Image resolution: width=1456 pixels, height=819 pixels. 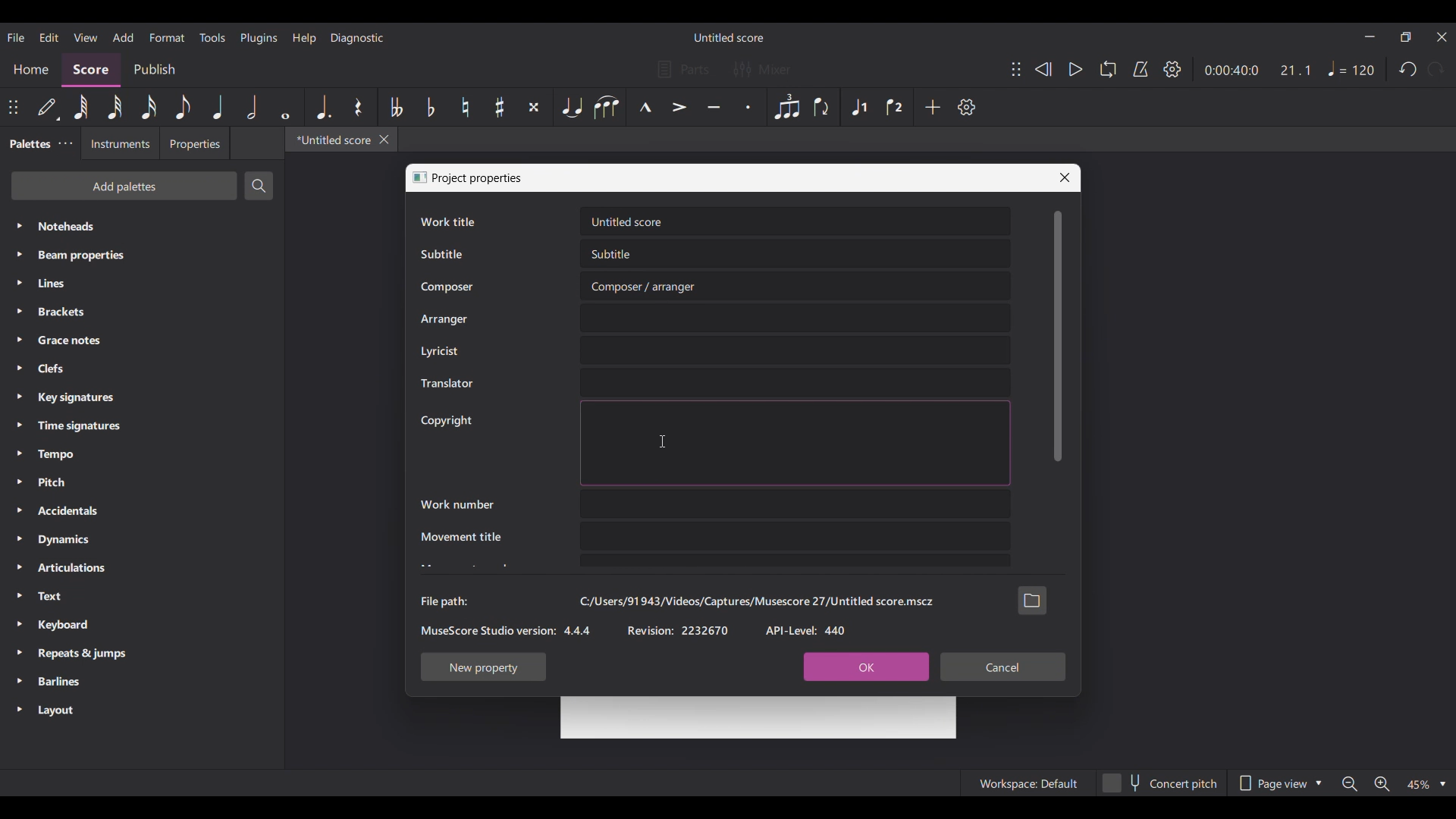 What do you see at coordinates (1109, 69) in the screenshot?
I see `Loop playback` at bounding box center [1109, 69].